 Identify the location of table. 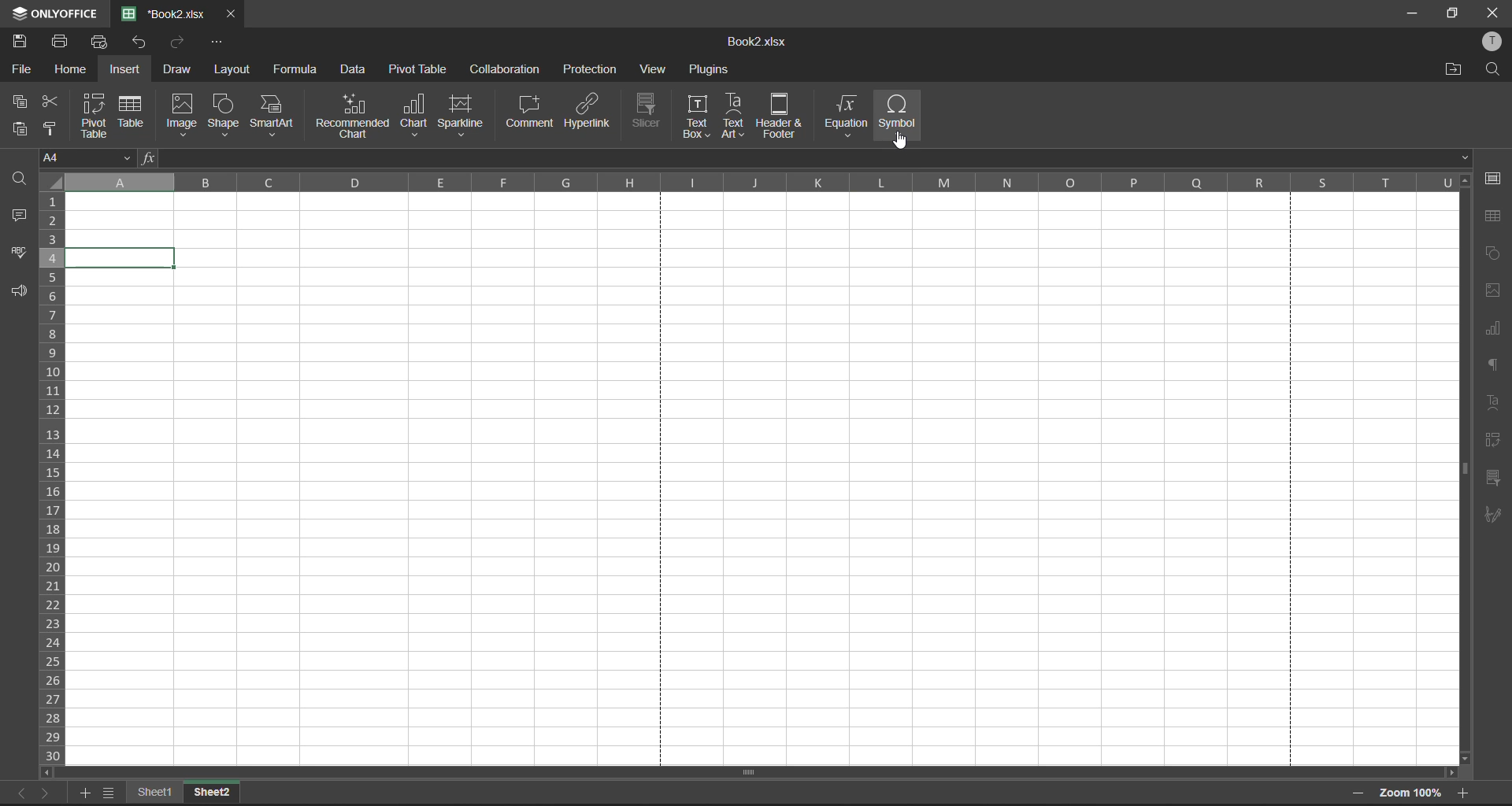
(135, 110).